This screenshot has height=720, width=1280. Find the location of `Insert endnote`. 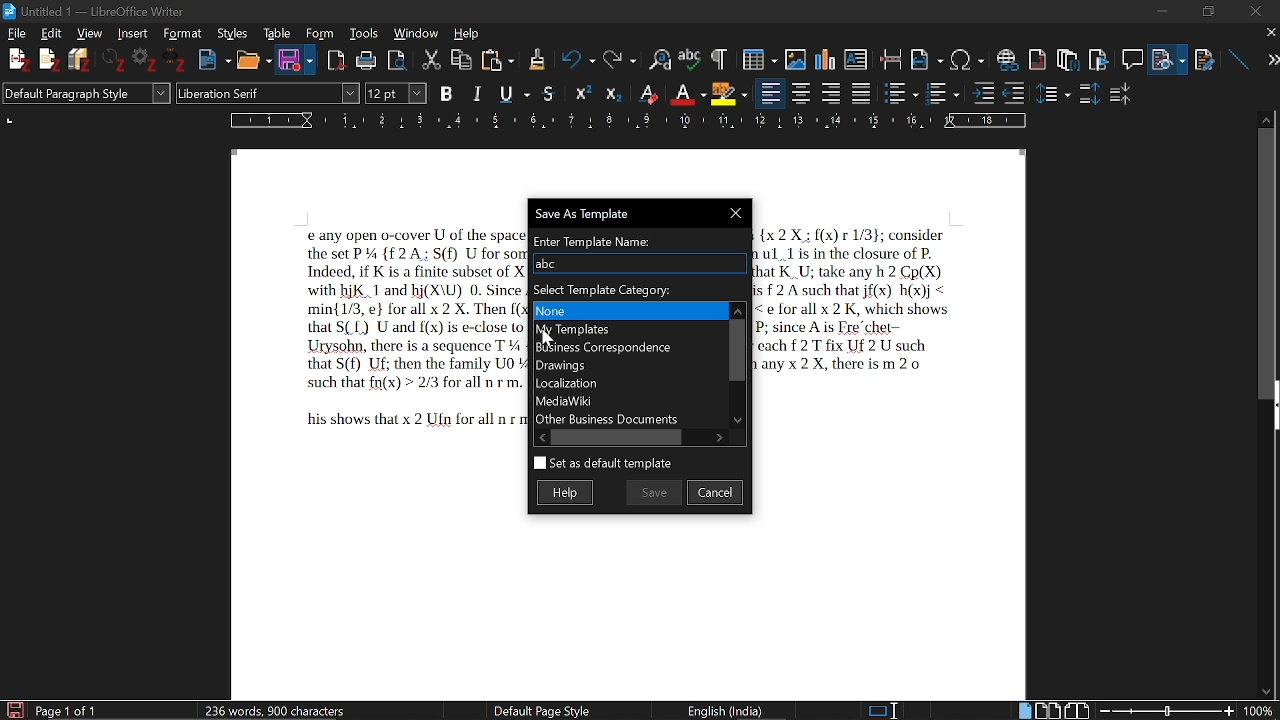

Insert endnote is located at coordinates (1039, 55).